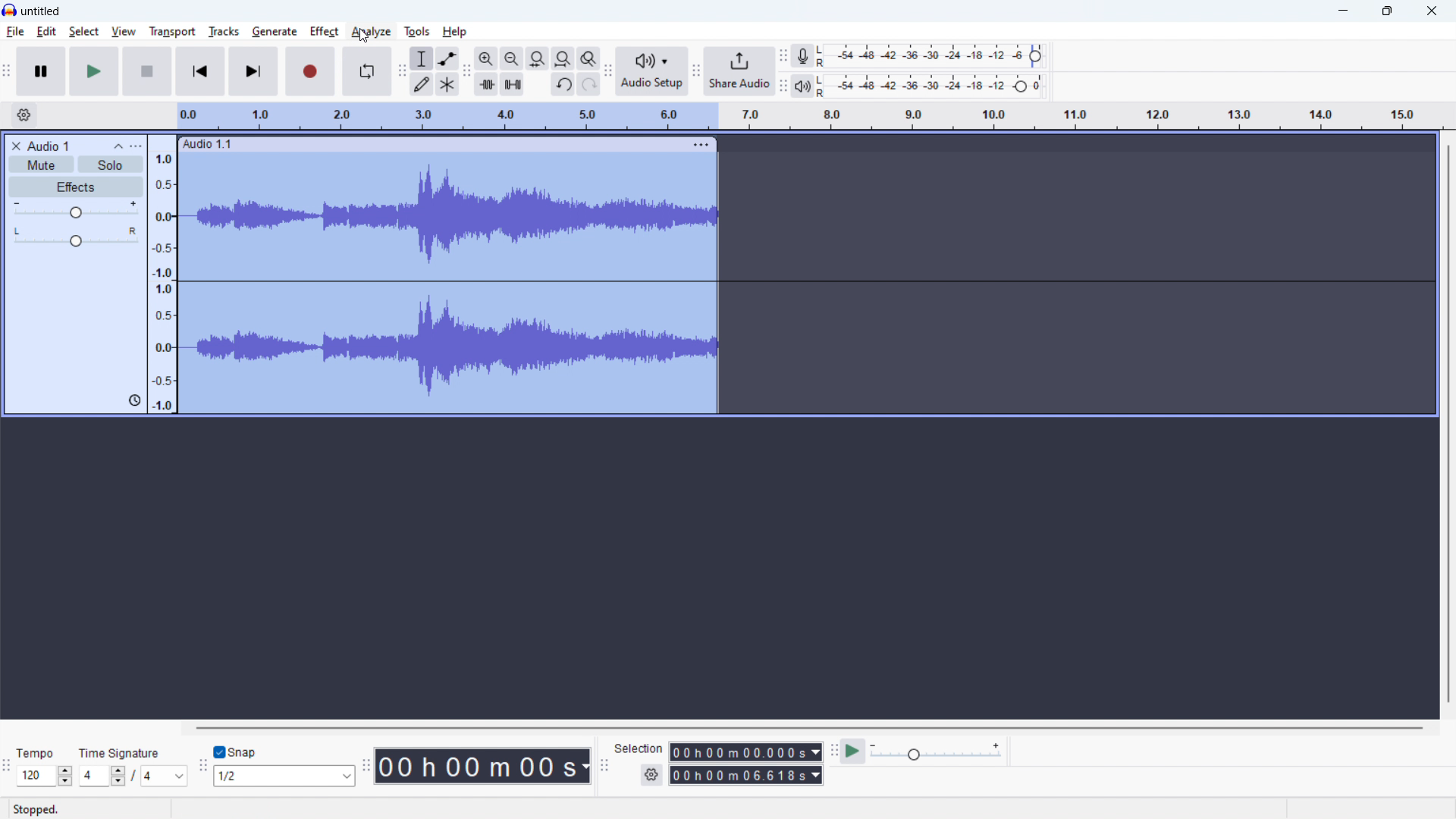 The width and height of the screenshot is (1456, 819). Describe the element at coordinates (746, 776) in the screenshot. I see `end time` at that location.